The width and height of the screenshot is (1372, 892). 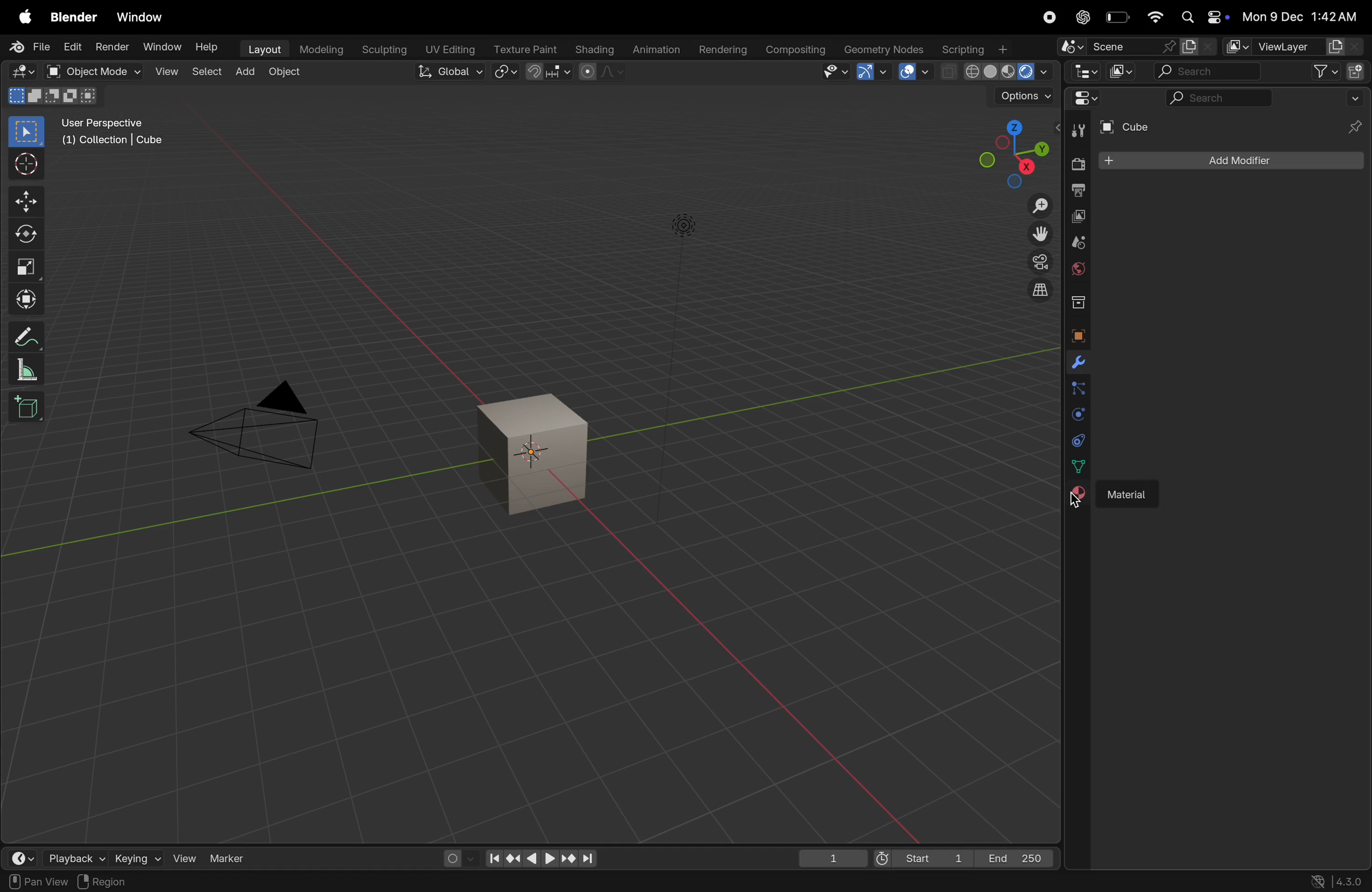 What do you see at coordinates (1212, 97) in the screenshot?
I see `searcg` at bounding box center [1212, 97].